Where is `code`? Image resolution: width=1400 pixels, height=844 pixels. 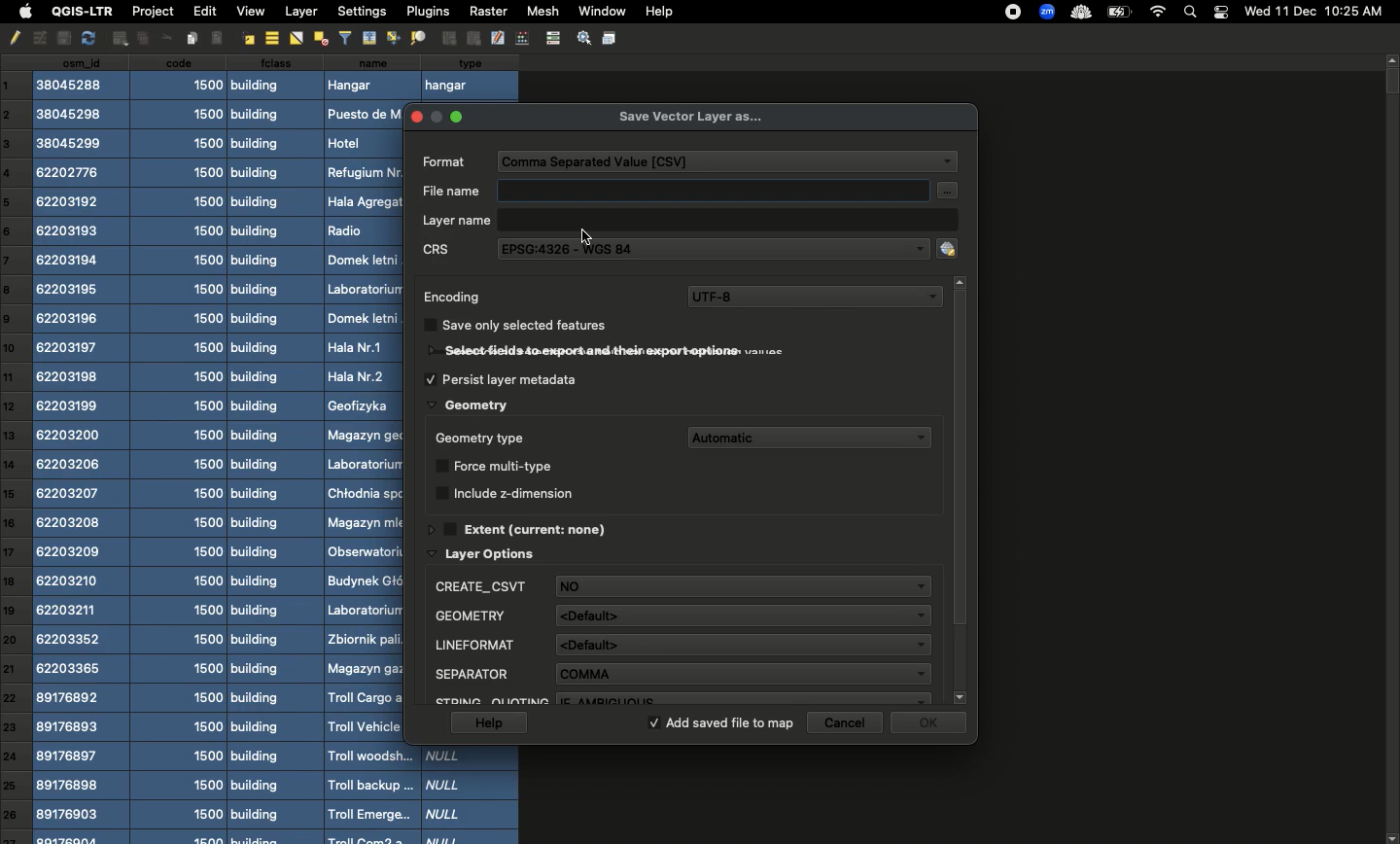
code is located at coordinates (183, 449).